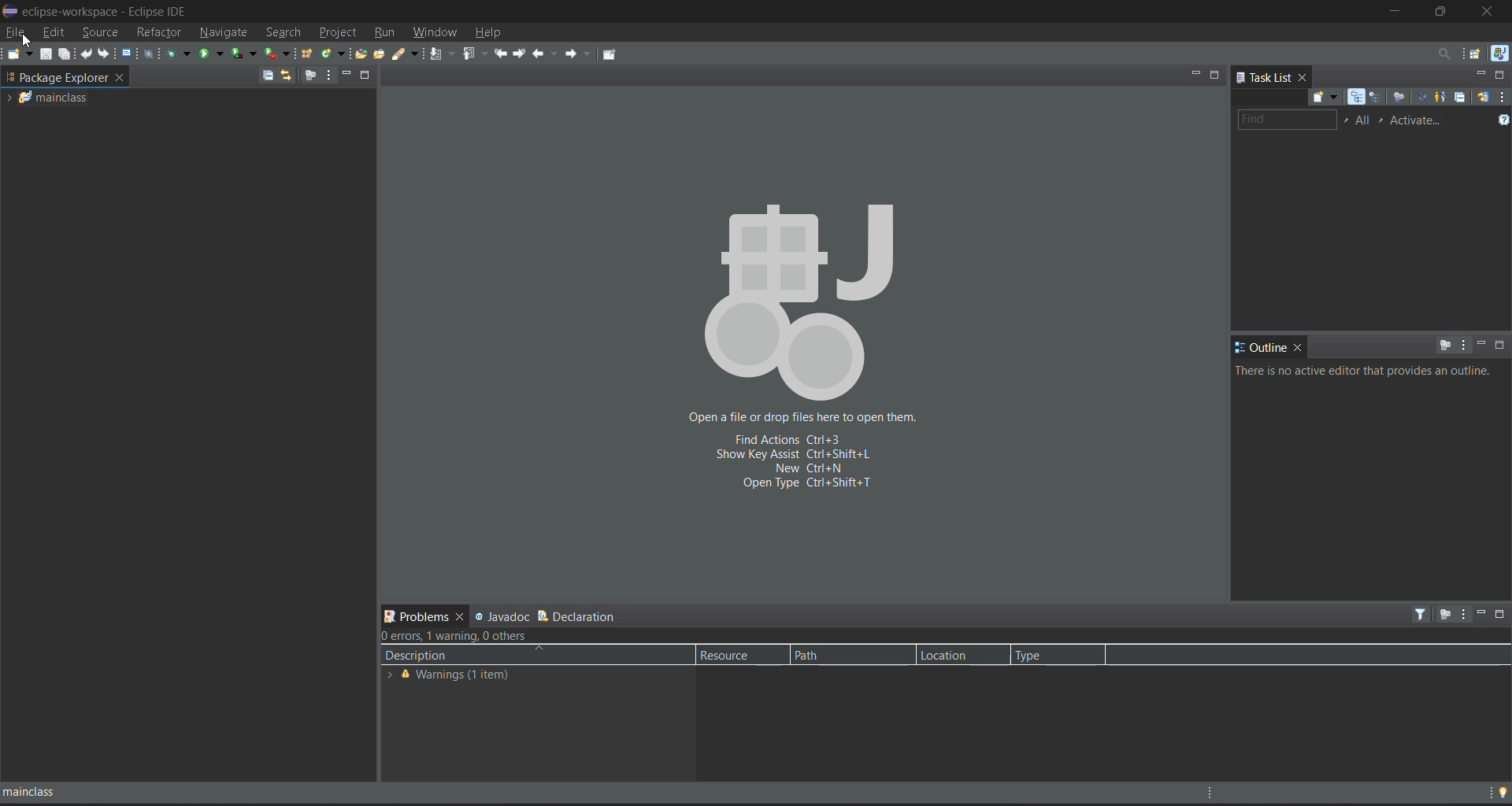 This screenshot has width=1512, height=806. I want to click on activate, so click(1420, 121).